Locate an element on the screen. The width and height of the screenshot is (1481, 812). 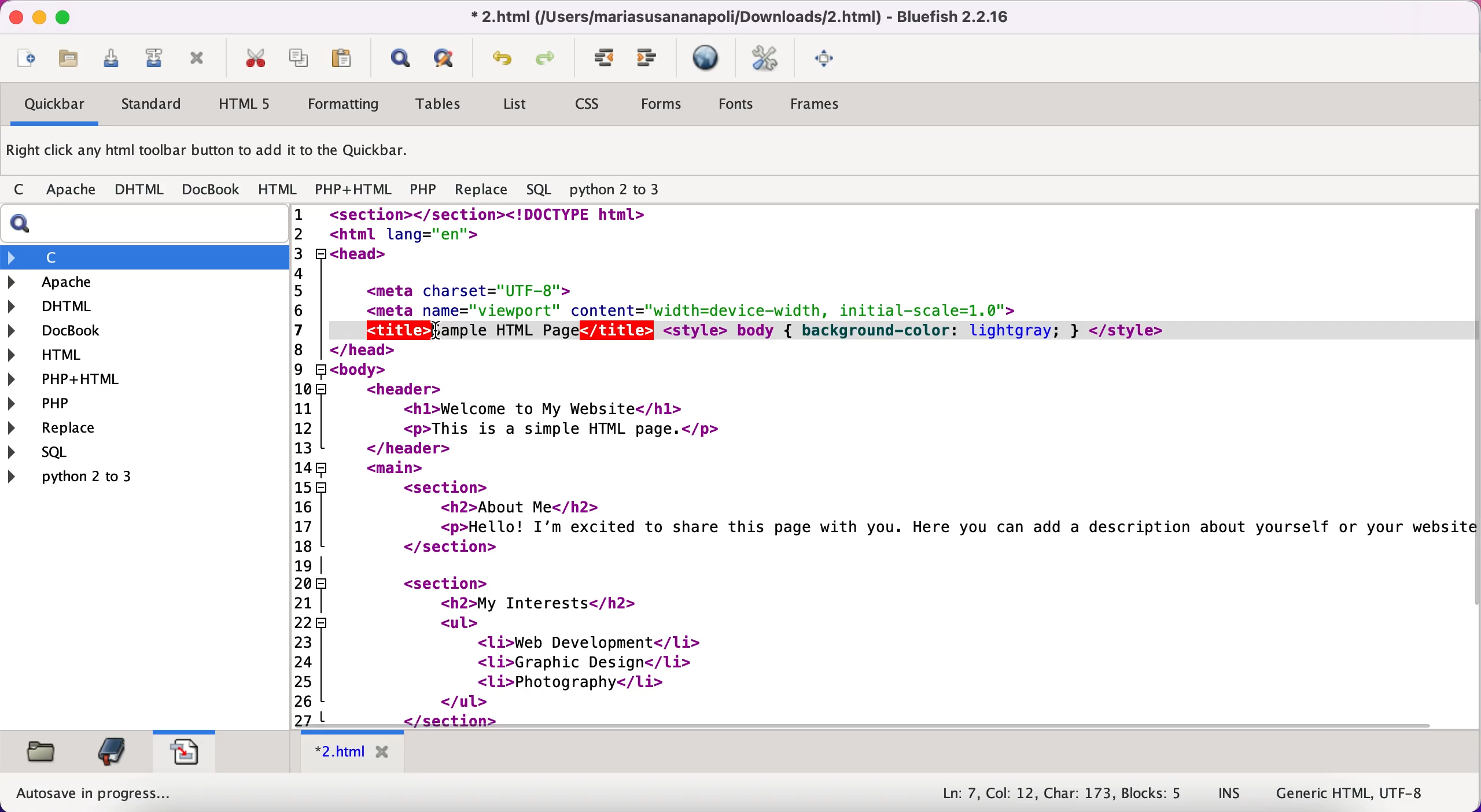
html is located at coordinates (58, 357).